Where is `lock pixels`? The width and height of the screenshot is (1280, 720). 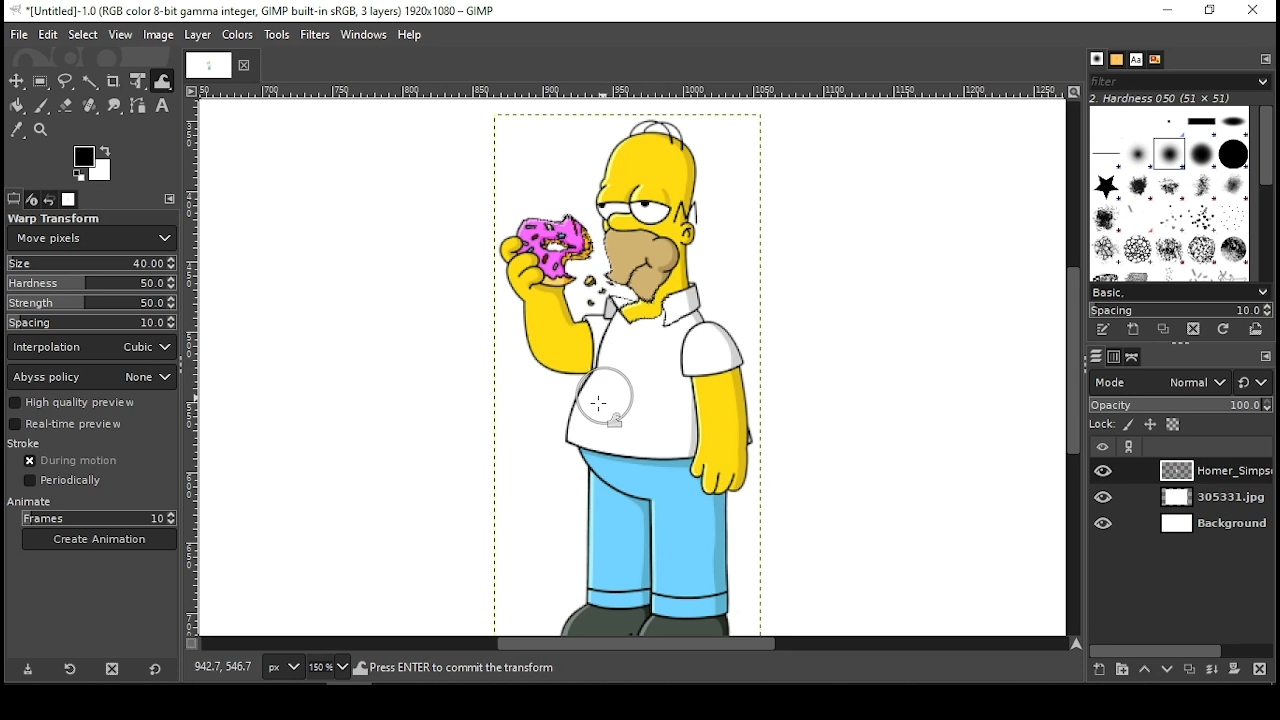 lock pixels is located at coordinates (1129, 425).